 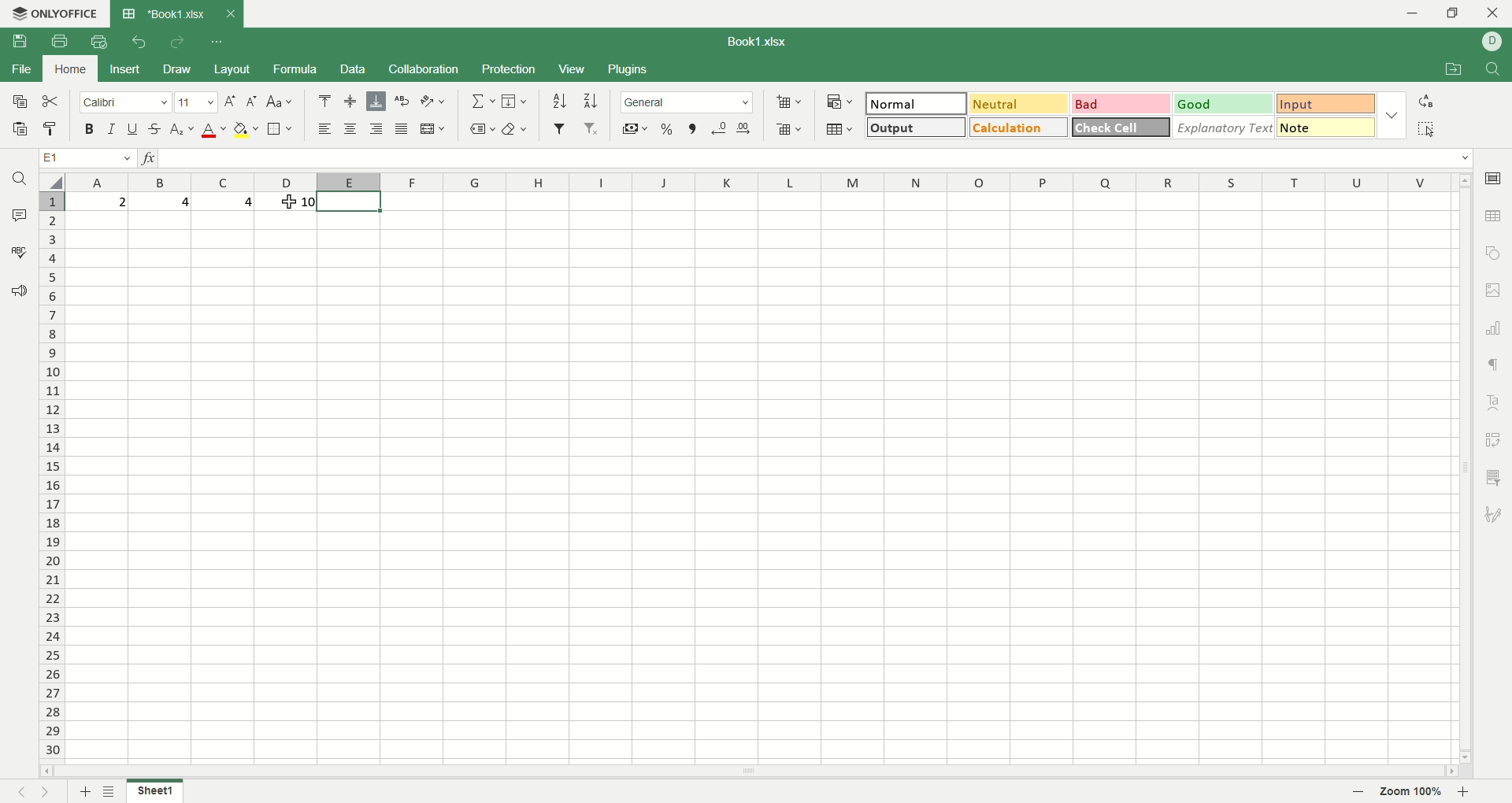 I want to click on comment, so click(x=20, y=215).